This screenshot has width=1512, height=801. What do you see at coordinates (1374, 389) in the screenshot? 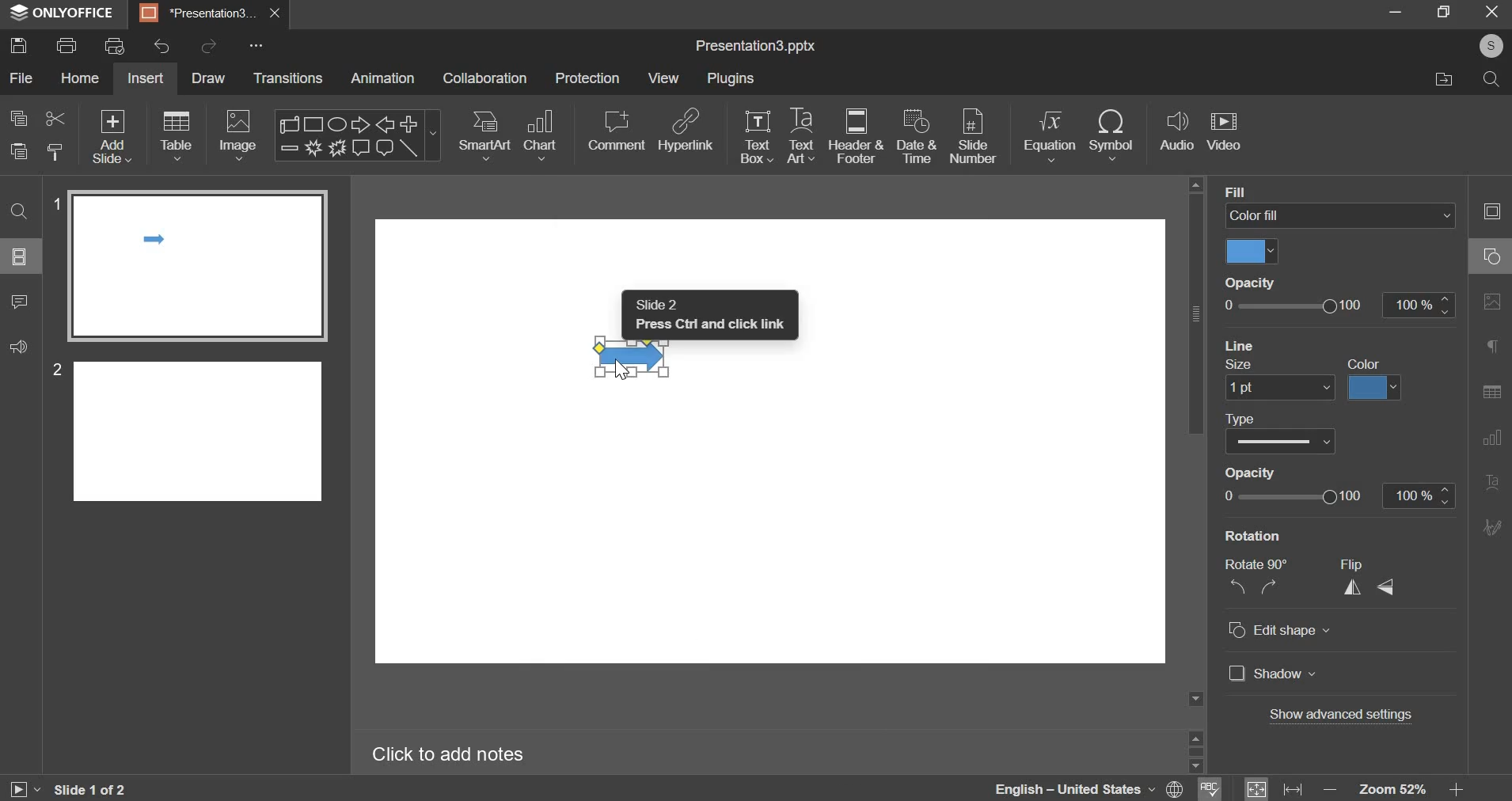
I see `line color` at bounding box center [1374, 389].